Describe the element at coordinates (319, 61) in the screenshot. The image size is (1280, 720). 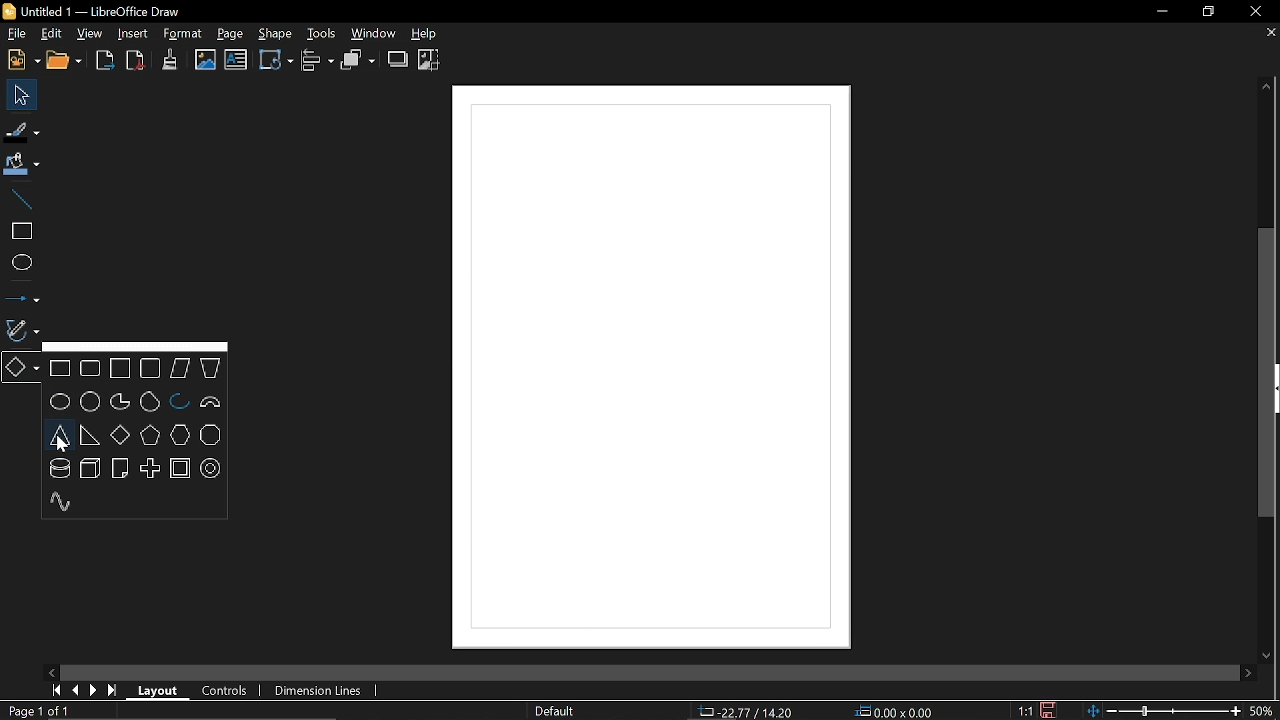
I see `Align` at that location.